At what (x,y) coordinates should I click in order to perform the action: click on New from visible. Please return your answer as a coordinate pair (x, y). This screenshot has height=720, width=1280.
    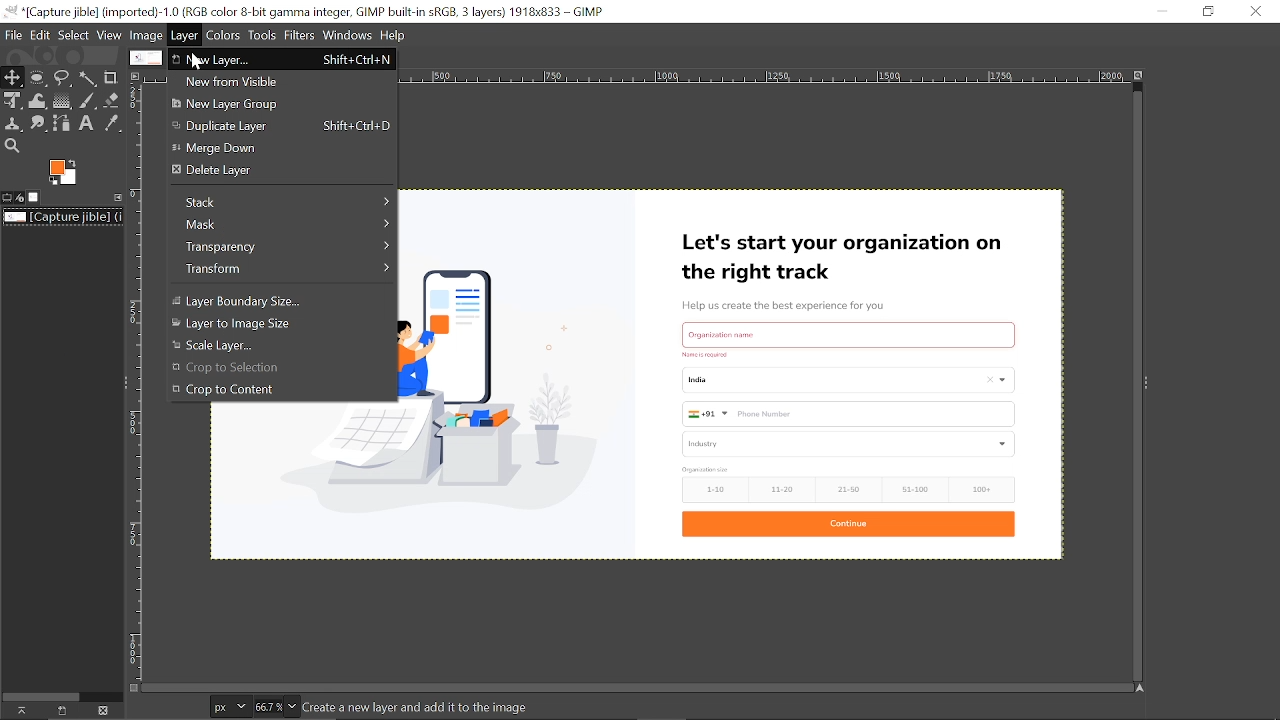
    Looking at the image, I should click on (278, 81).